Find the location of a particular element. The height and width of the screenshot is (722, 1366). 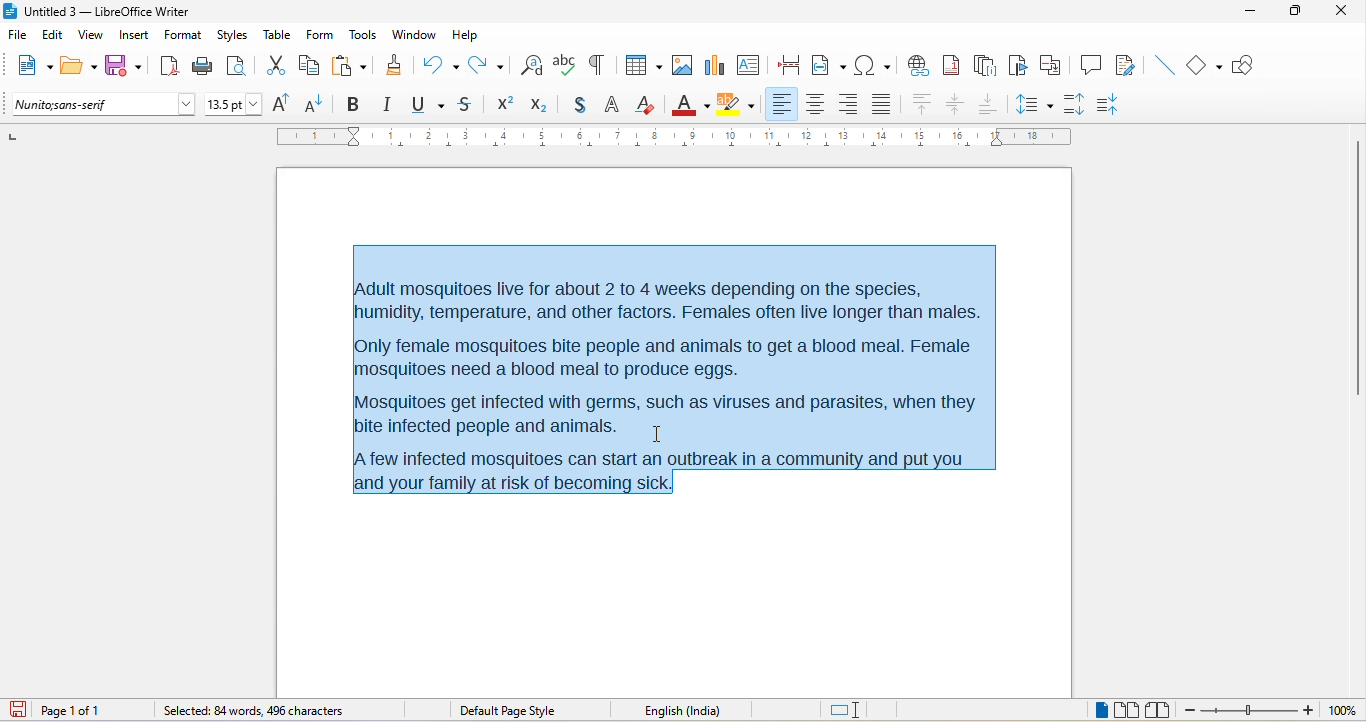

spelling is located at coordinates (565, 63).